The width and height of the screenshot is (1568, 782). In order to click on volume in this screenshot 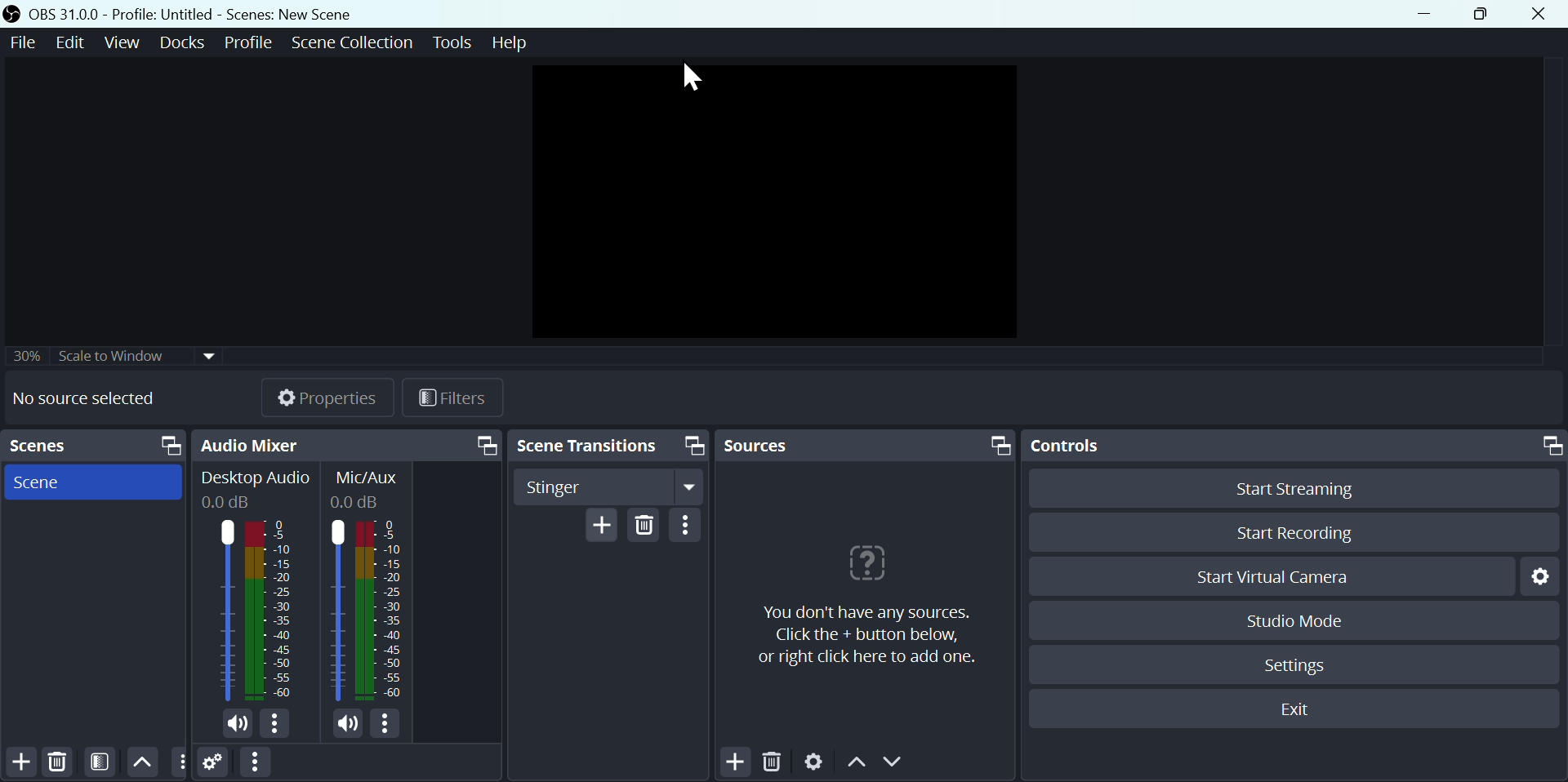, I will do `click(233, 725)`.